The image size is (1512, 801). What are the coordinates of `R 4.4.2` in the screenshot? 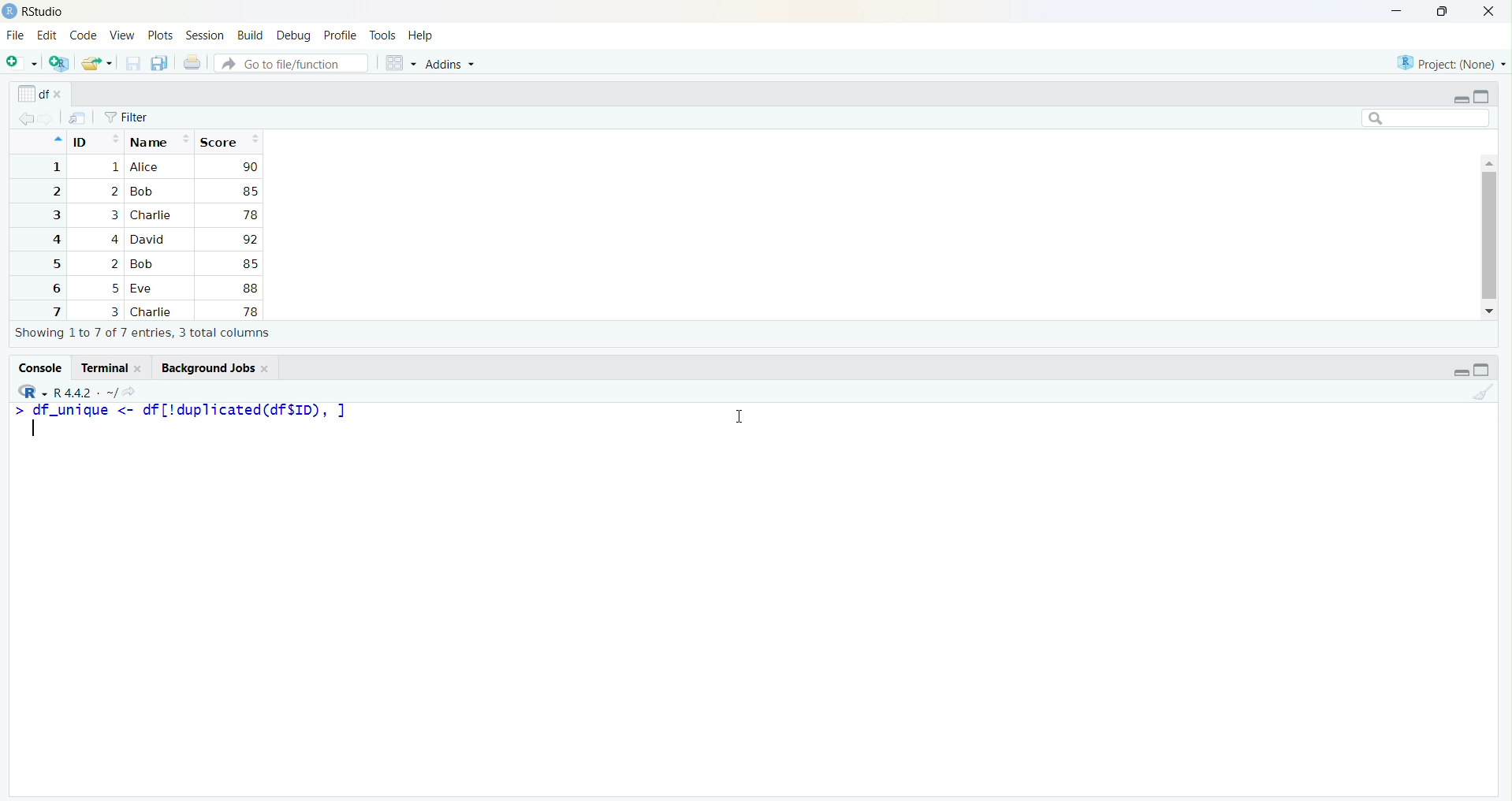 It's located at (73, 393).